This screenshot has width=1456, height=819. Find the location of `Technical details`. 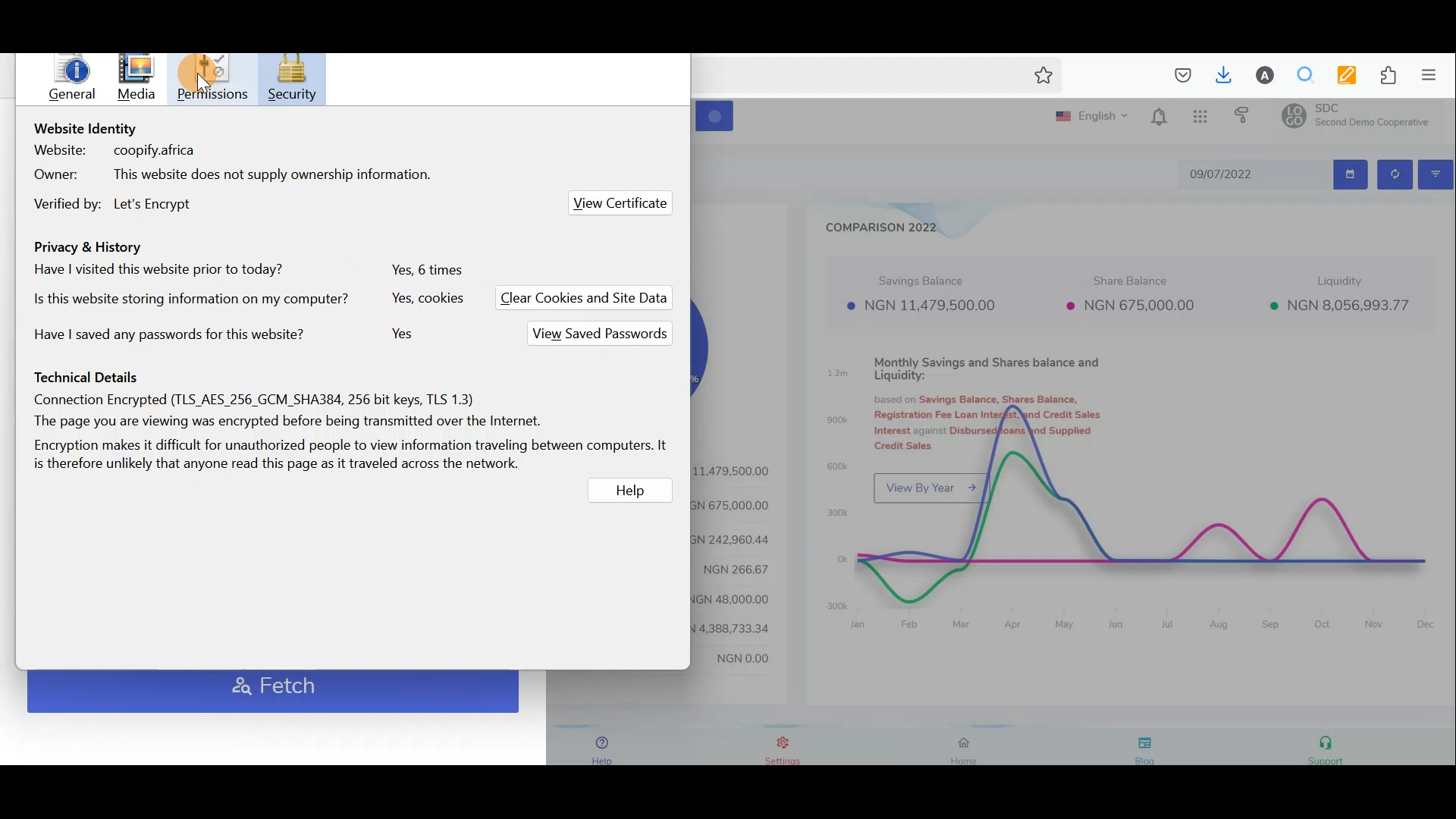

Technical details is located at coordinates (352, 419).